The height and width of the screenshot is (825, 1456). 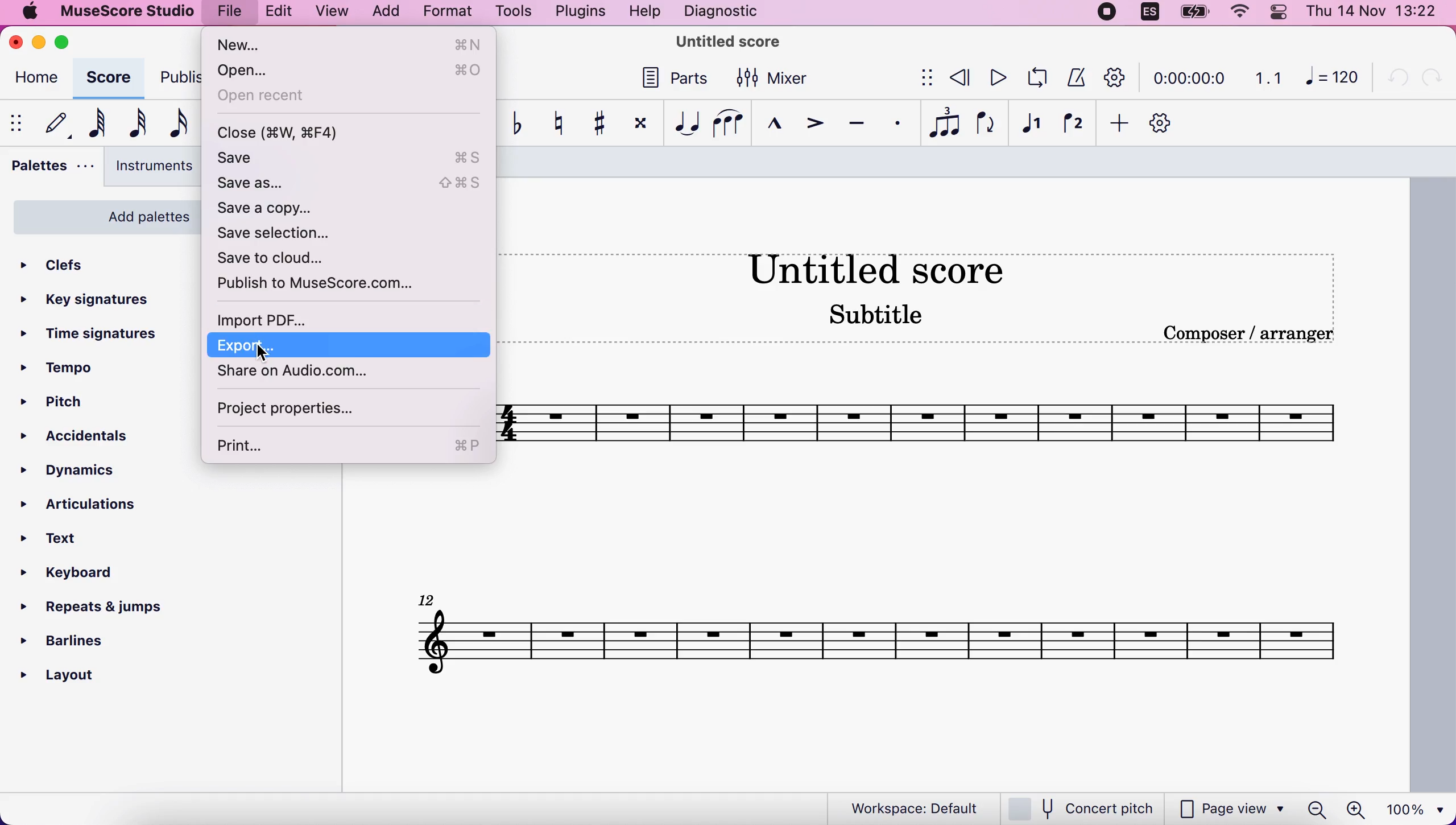 What do you see at coordinates (508, 14) in the screenshot?
I see `tools` at bounding box center [508, 14].